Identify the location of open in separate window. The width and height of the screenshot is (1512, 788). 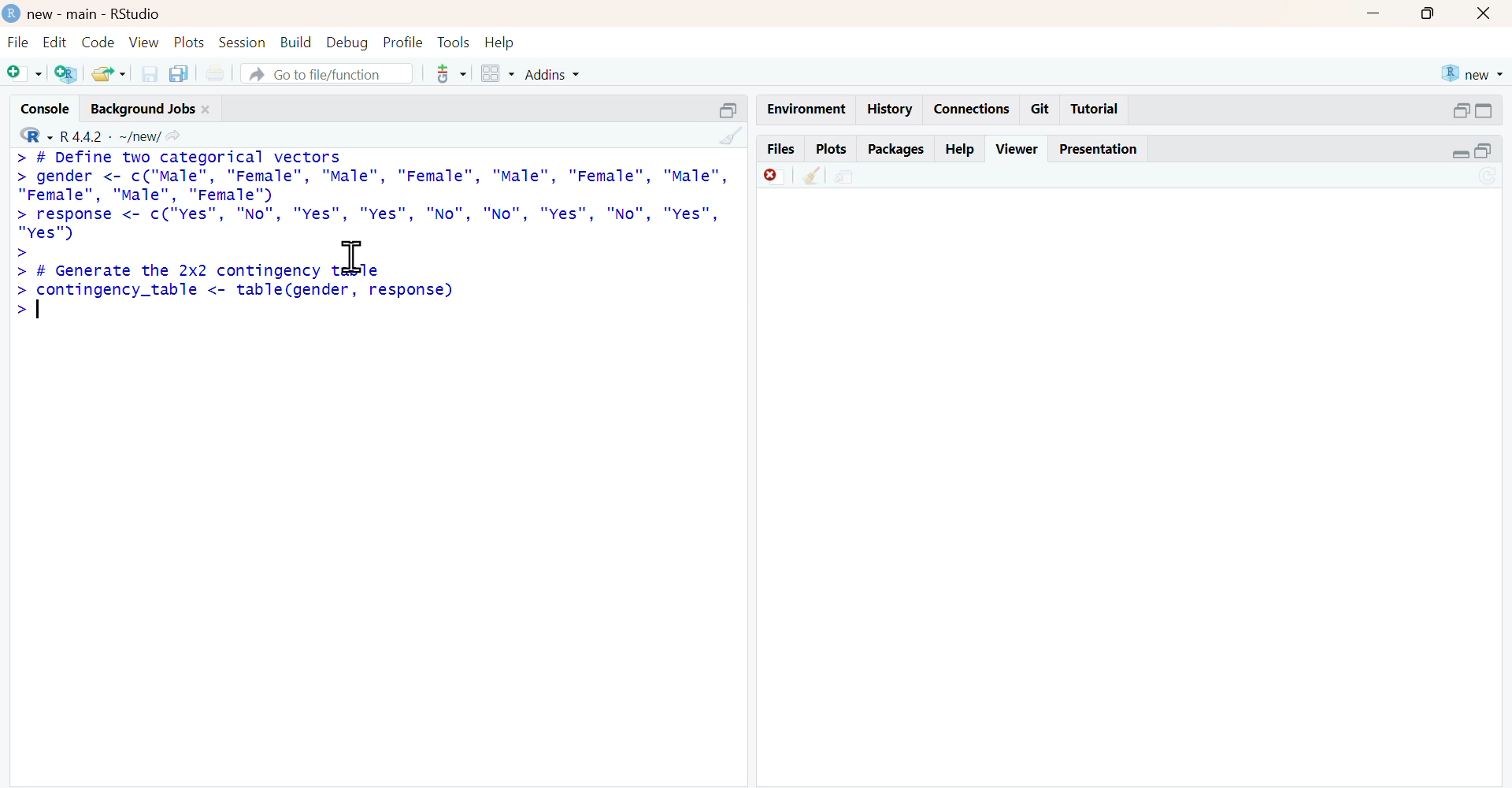
(1484, 151).